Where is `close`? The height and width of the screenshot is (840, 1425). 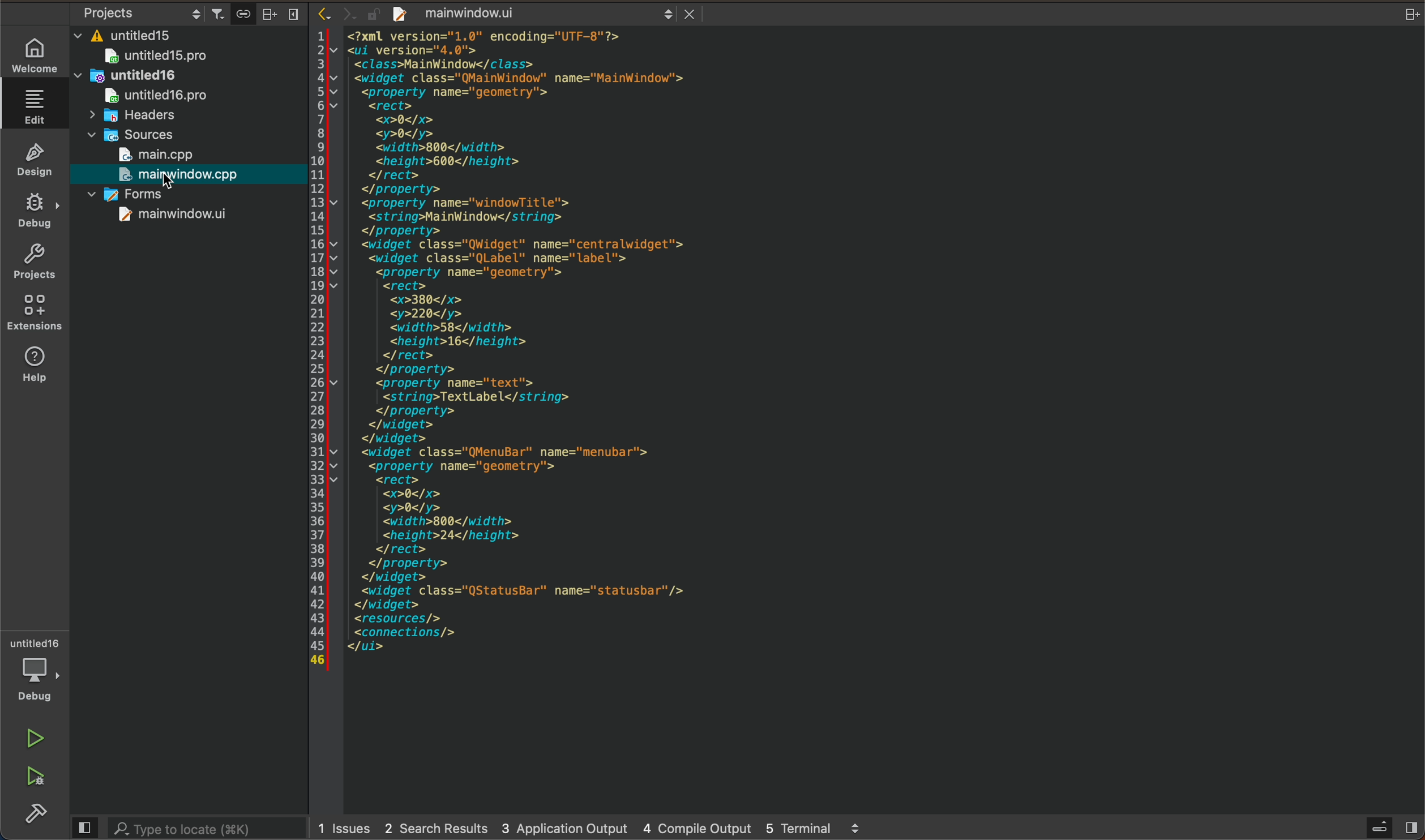
close is located at coordinates (691, 13).